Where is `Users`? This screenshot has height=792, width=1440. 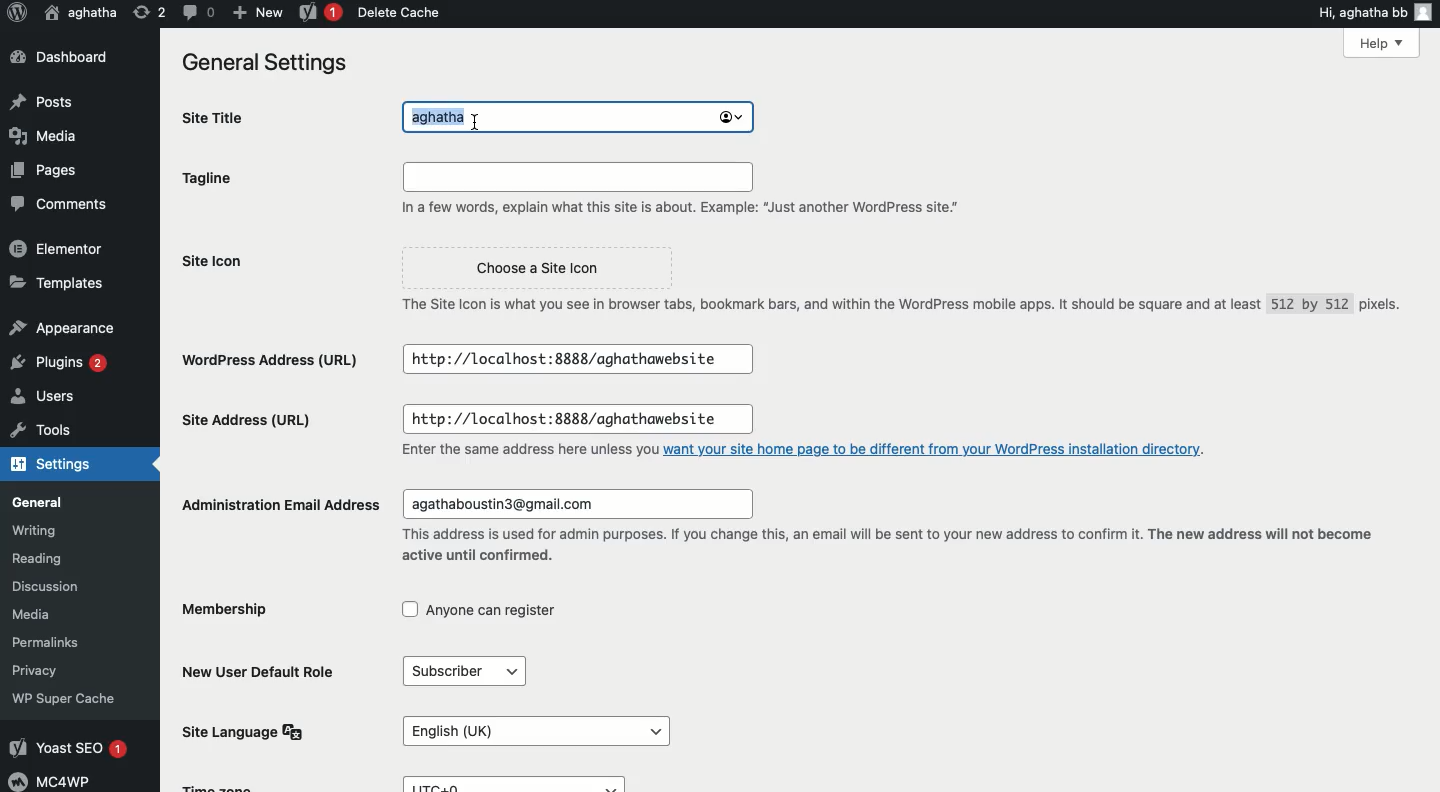 Users is located at coordinates (45, 396).